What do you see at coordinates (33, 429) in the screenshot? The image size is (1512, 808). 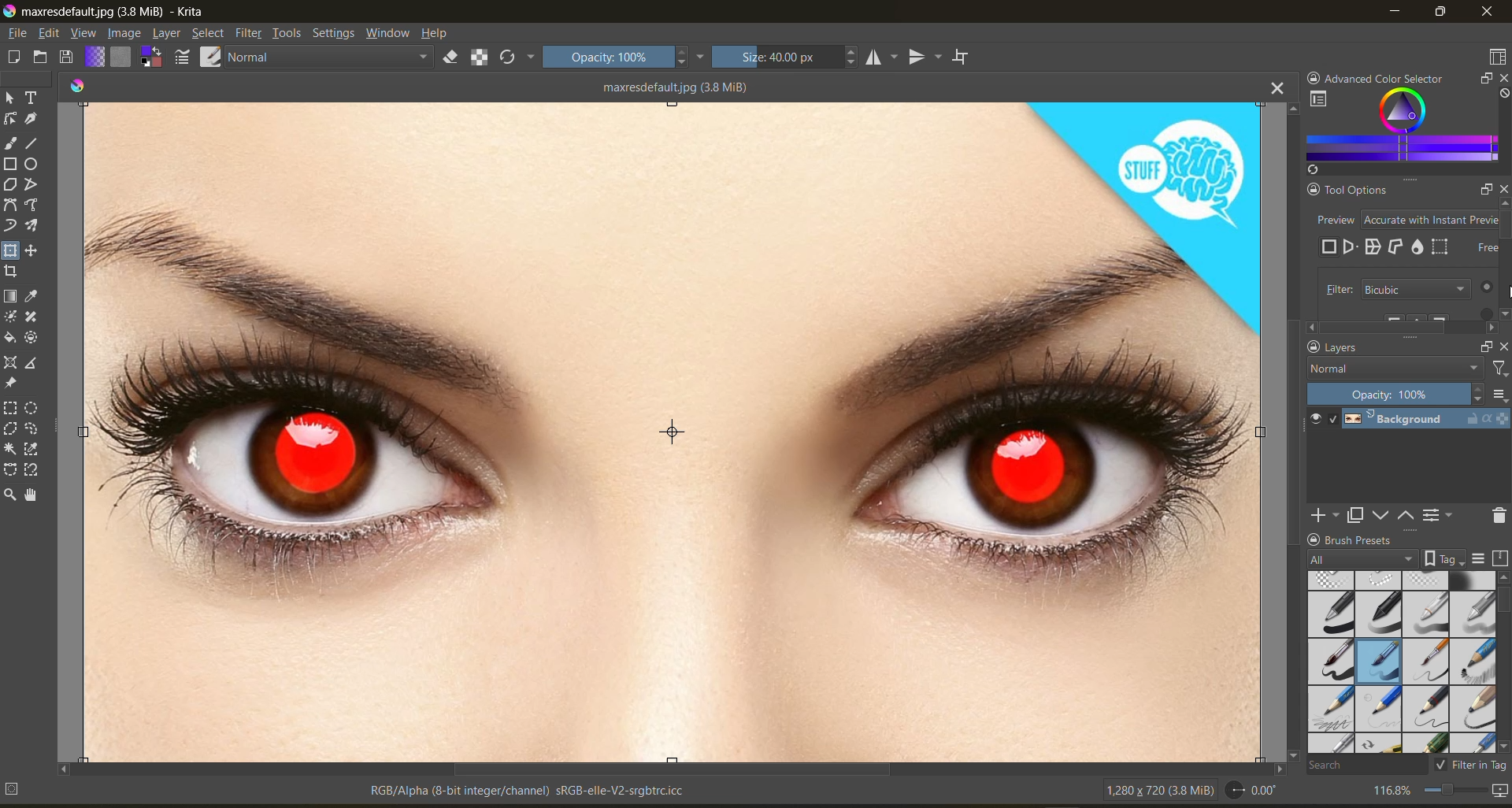 I see `tool` at bounding box center [33, 429].